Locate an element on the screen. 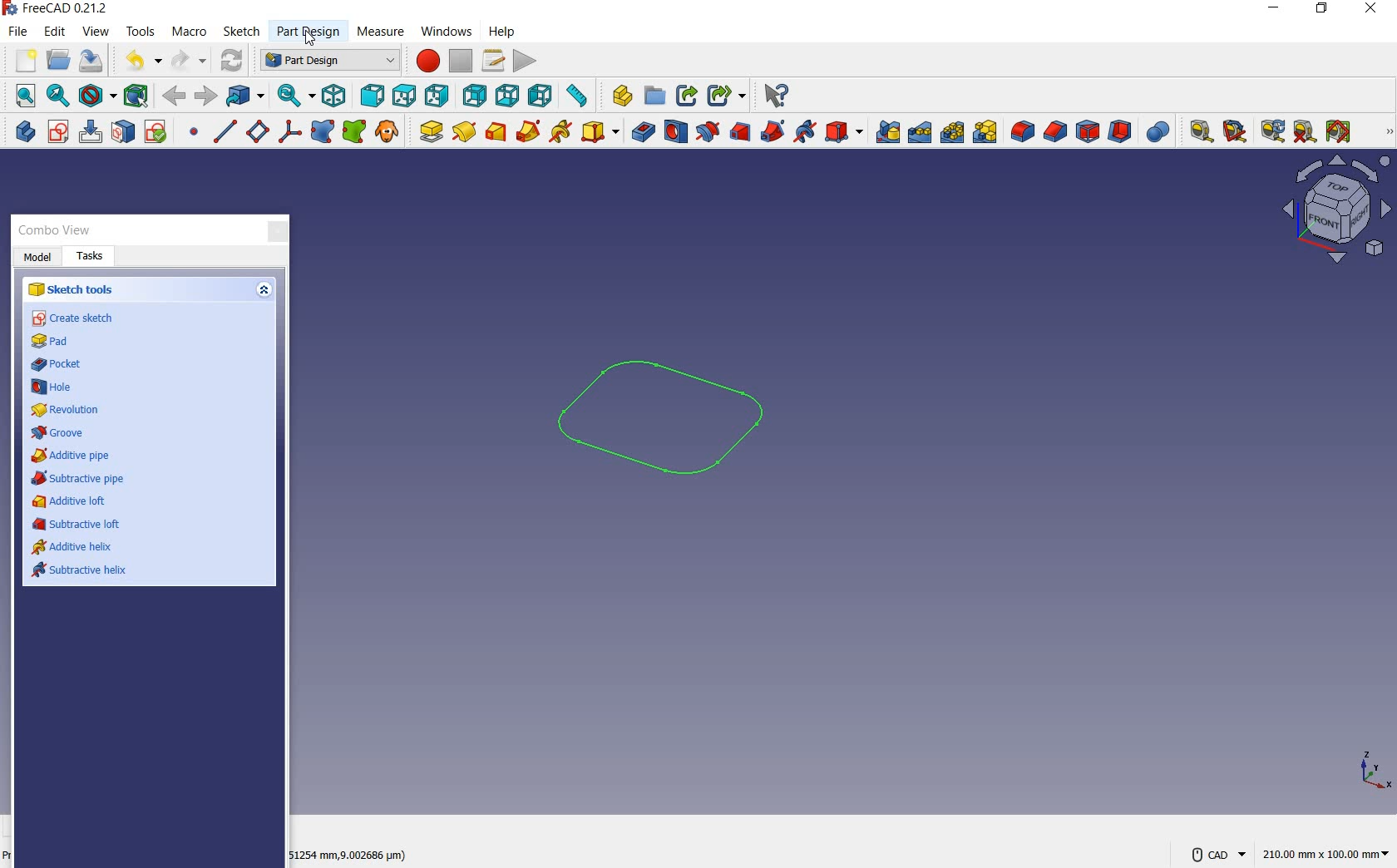 The width and height of the screenshot is (1397, 868). Cursor is located at coordinates (446, 31).